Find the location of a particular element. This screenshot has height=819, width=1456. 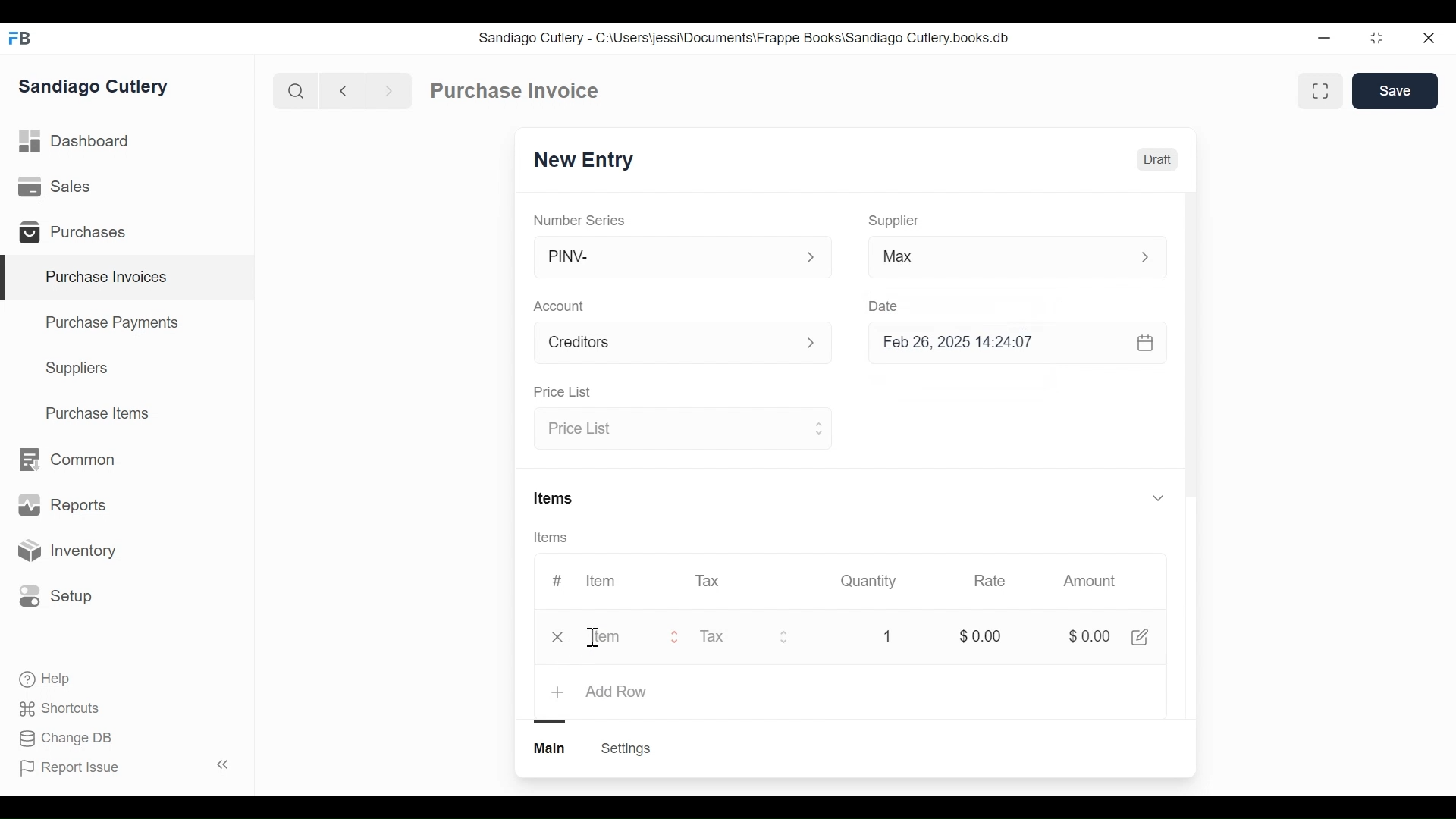

Feb 26, 2025 14:24:07 is located at coordinates (1009, 343).